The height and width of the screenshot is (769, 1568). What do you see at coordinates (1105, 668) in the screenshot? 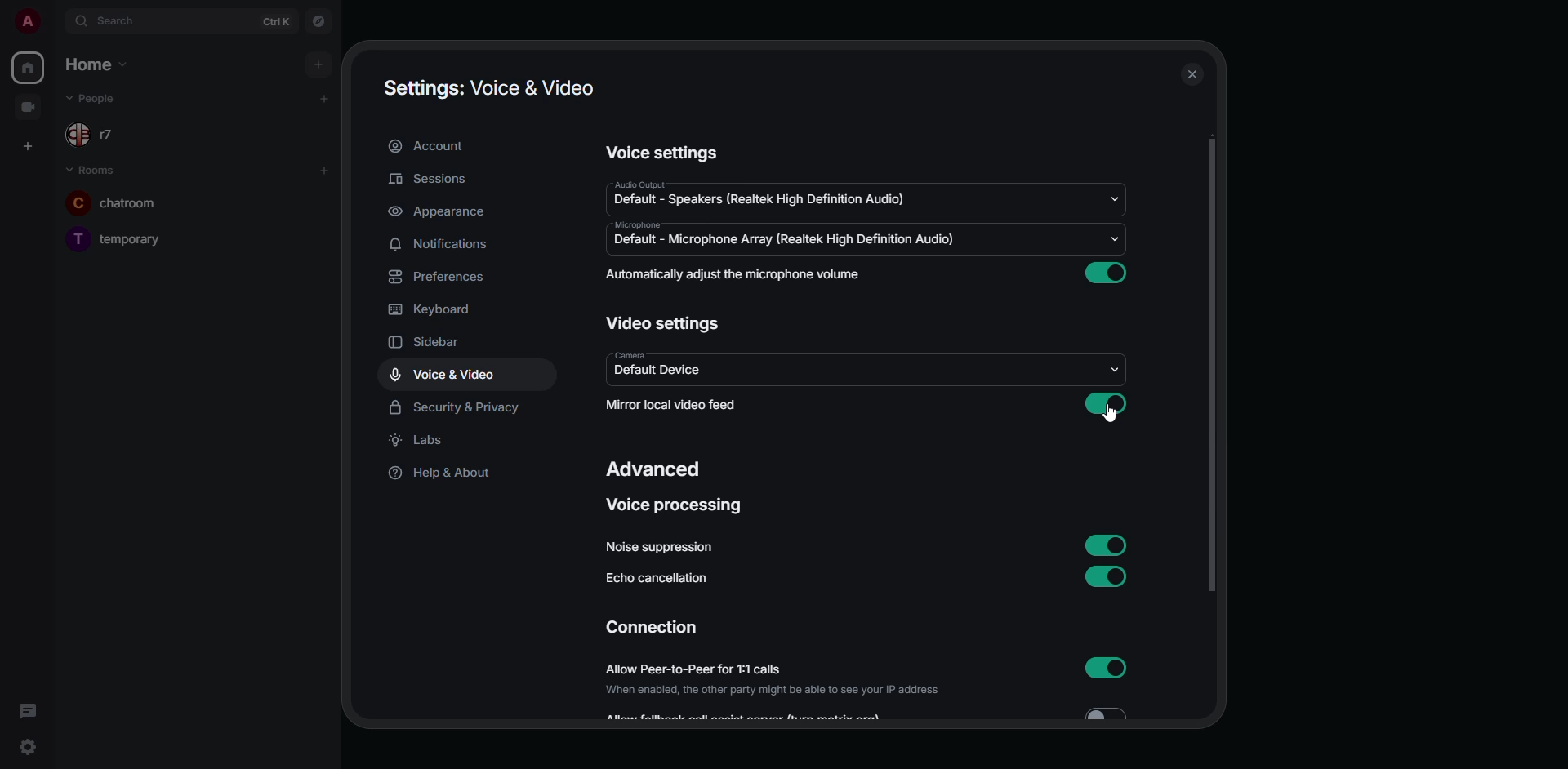
I see `enabled` at bounding box center [1105, 668].